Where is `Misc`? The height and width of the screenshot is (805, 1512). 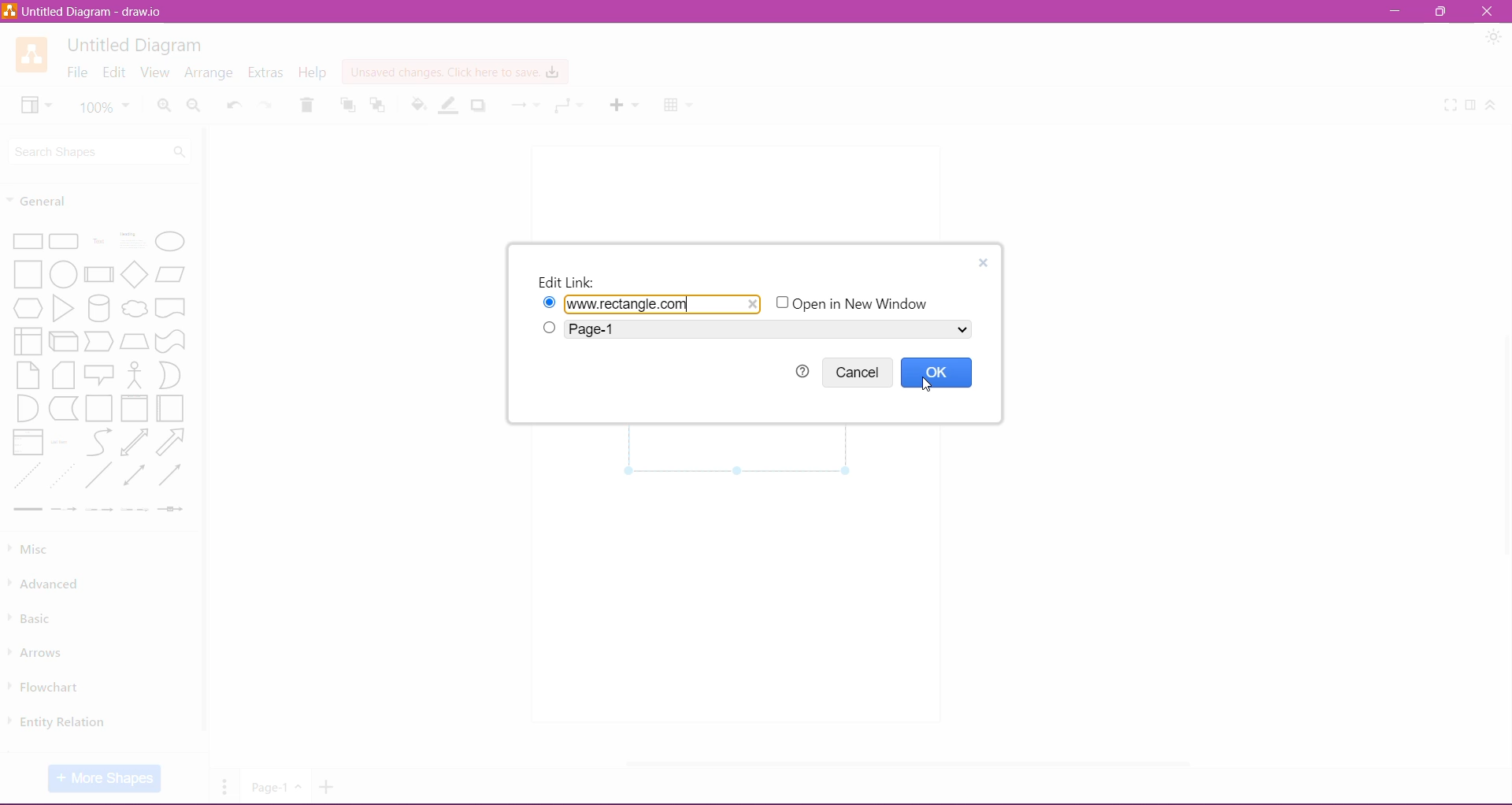 Misc is located at coordinates (35, 550).